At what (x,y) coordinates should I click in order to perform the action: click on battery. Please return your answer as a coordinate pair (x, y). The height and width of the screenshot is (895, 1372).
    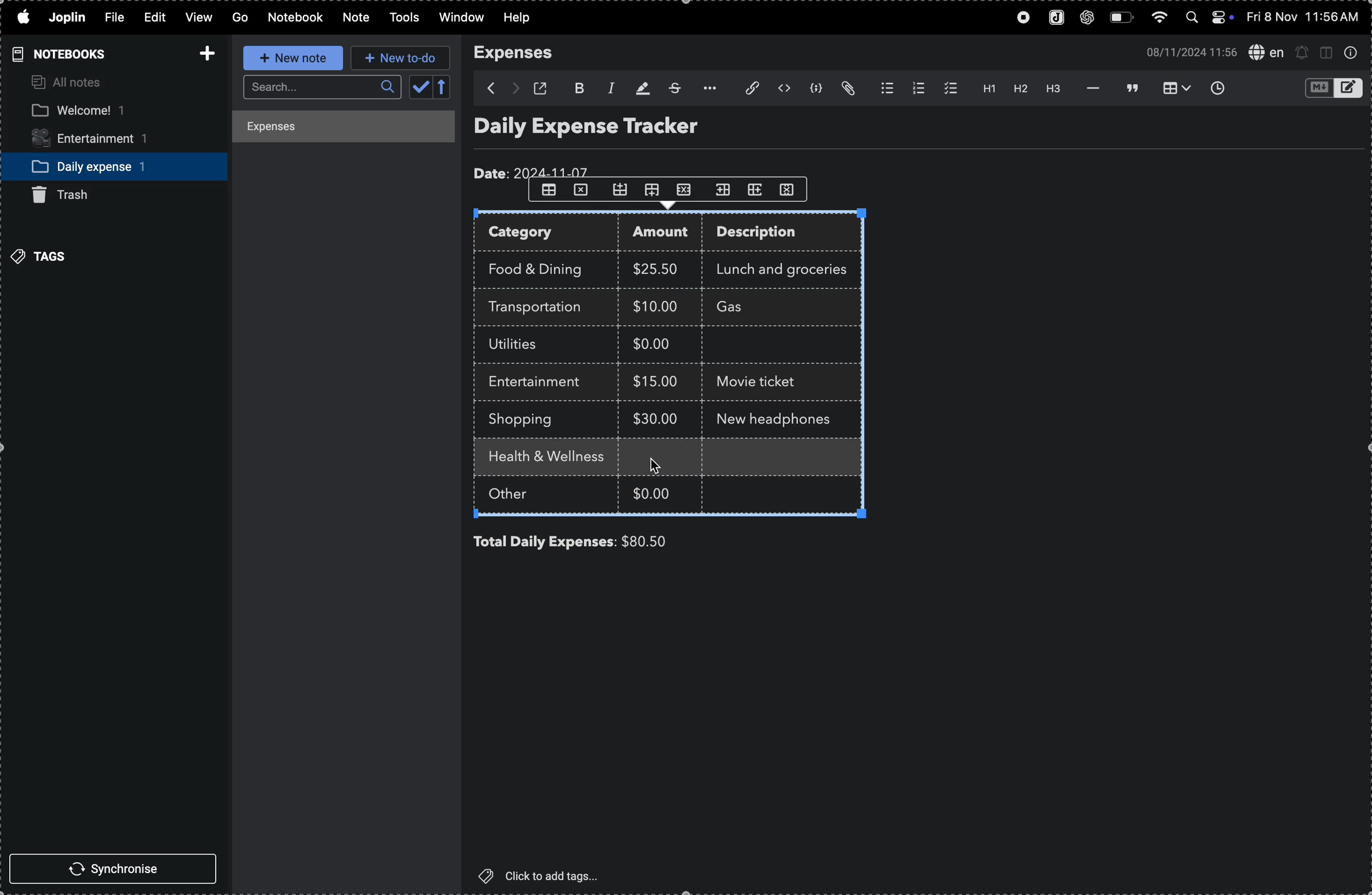
    Looking at the image, I should click on (1121, 18).